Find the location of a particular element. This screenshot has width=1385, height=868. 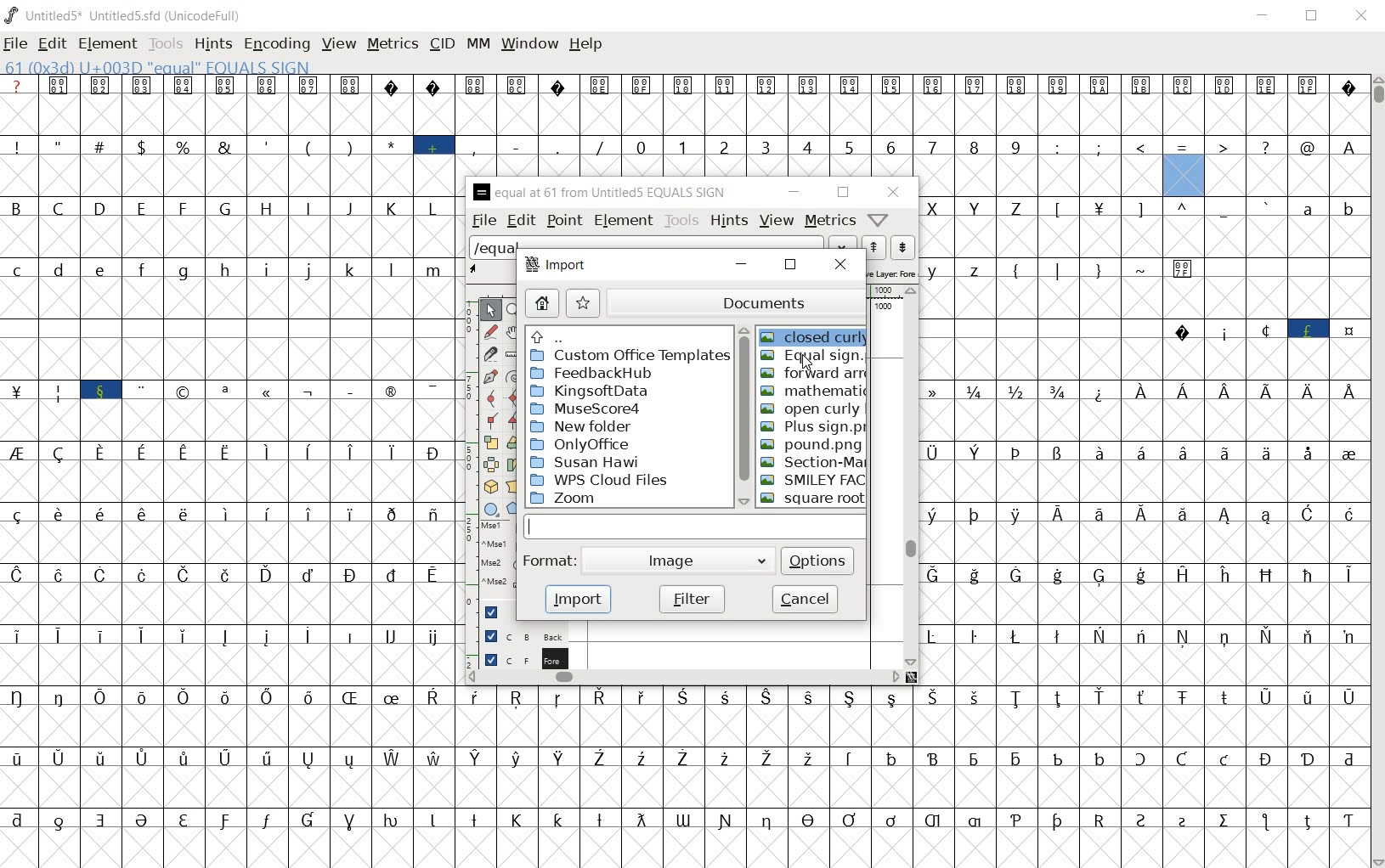

file is located at coordinates (14, 45).